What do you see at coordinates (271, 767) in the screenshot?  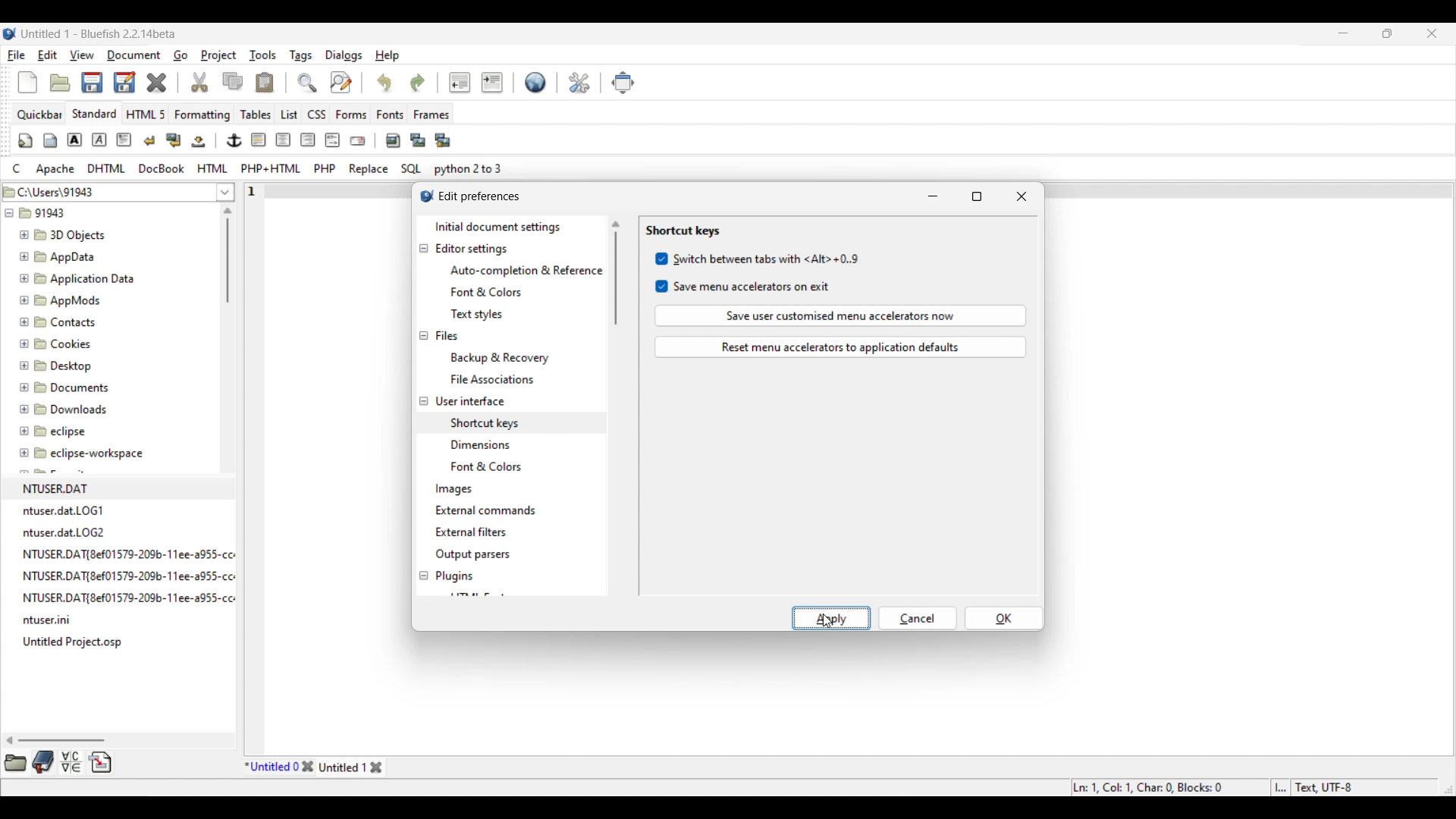 I see `Current tab` at bounding box center [271, 767].